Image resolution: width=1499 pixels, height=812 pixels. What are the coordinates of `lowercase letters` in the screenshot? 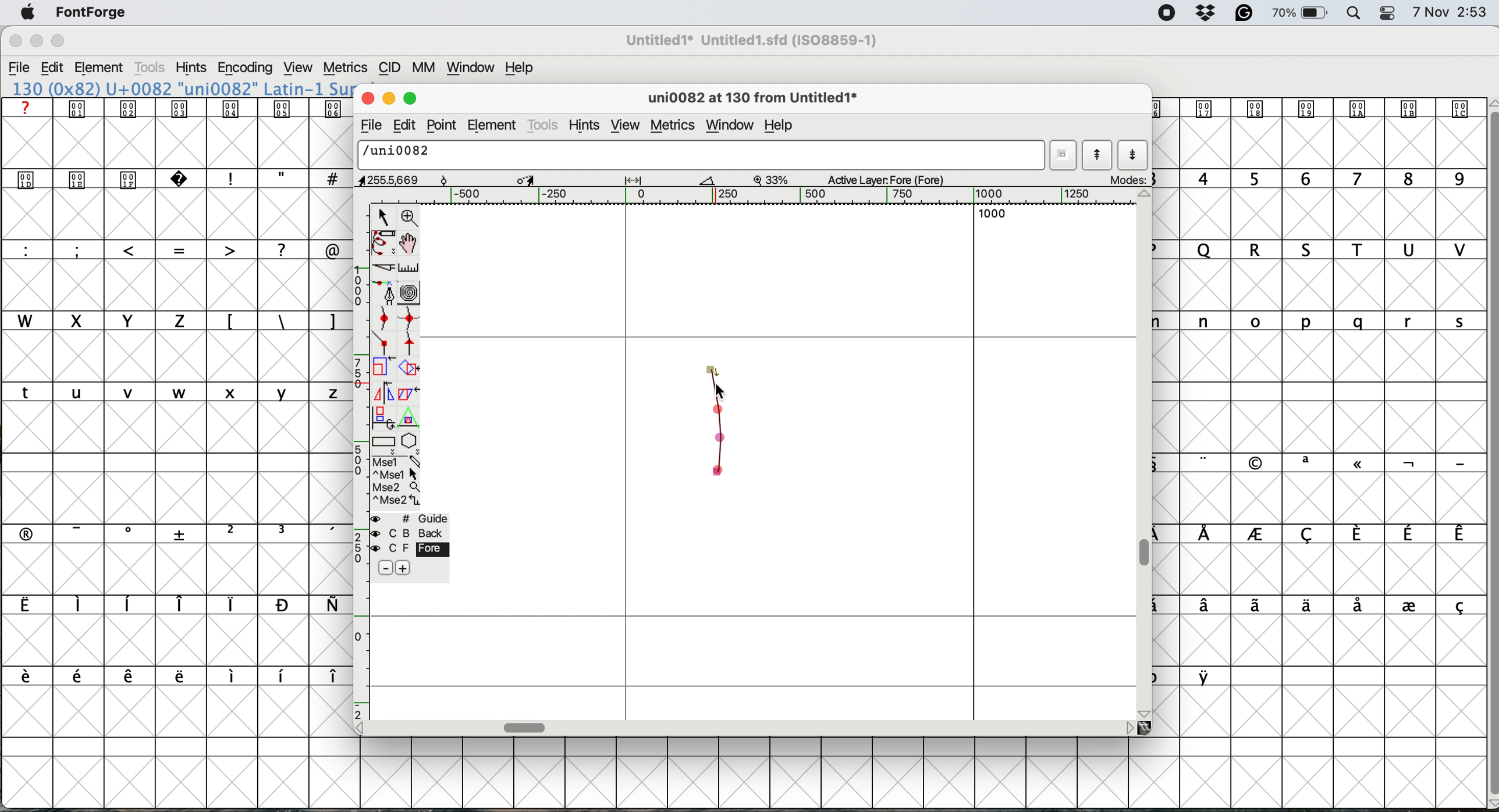 It's located at (1311, 320).